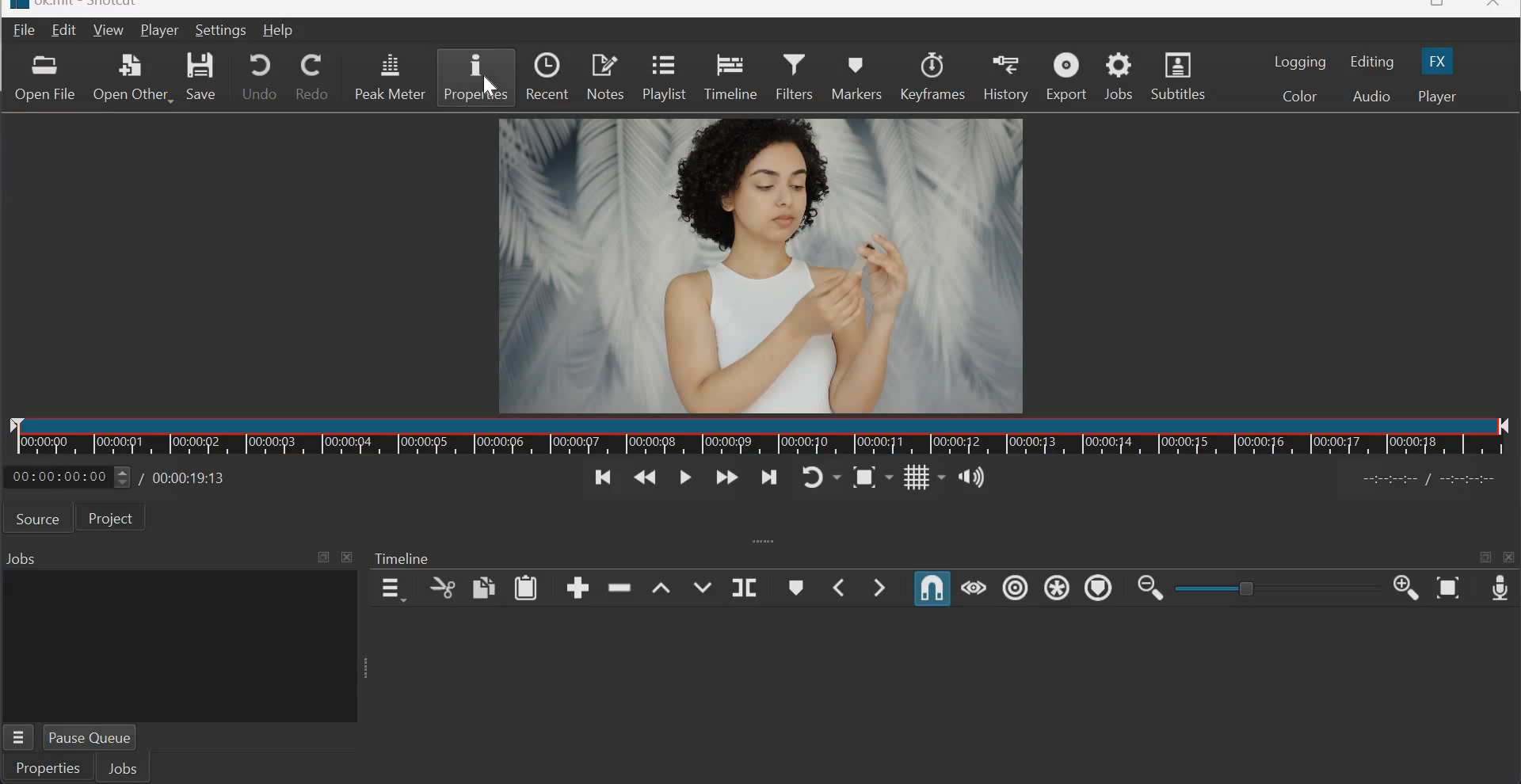 This screenshot has width=1521, height=784. Describe the element at coordinates (646, 478) in the screenshot. I see `Play quickly backwards` at that location.